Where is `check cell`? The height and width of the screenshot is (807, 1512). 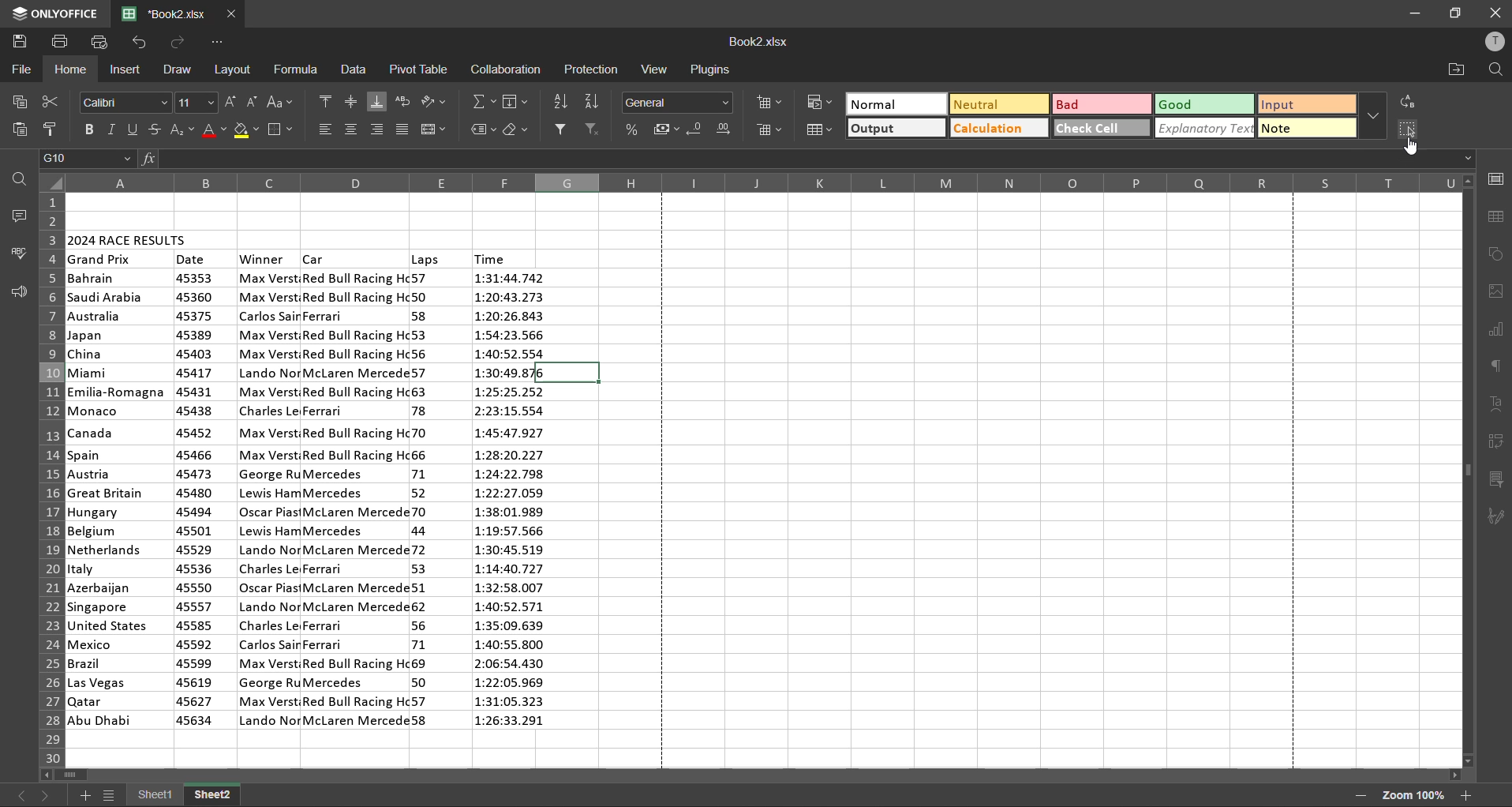
check cell is located at coordinates (1100, 129).